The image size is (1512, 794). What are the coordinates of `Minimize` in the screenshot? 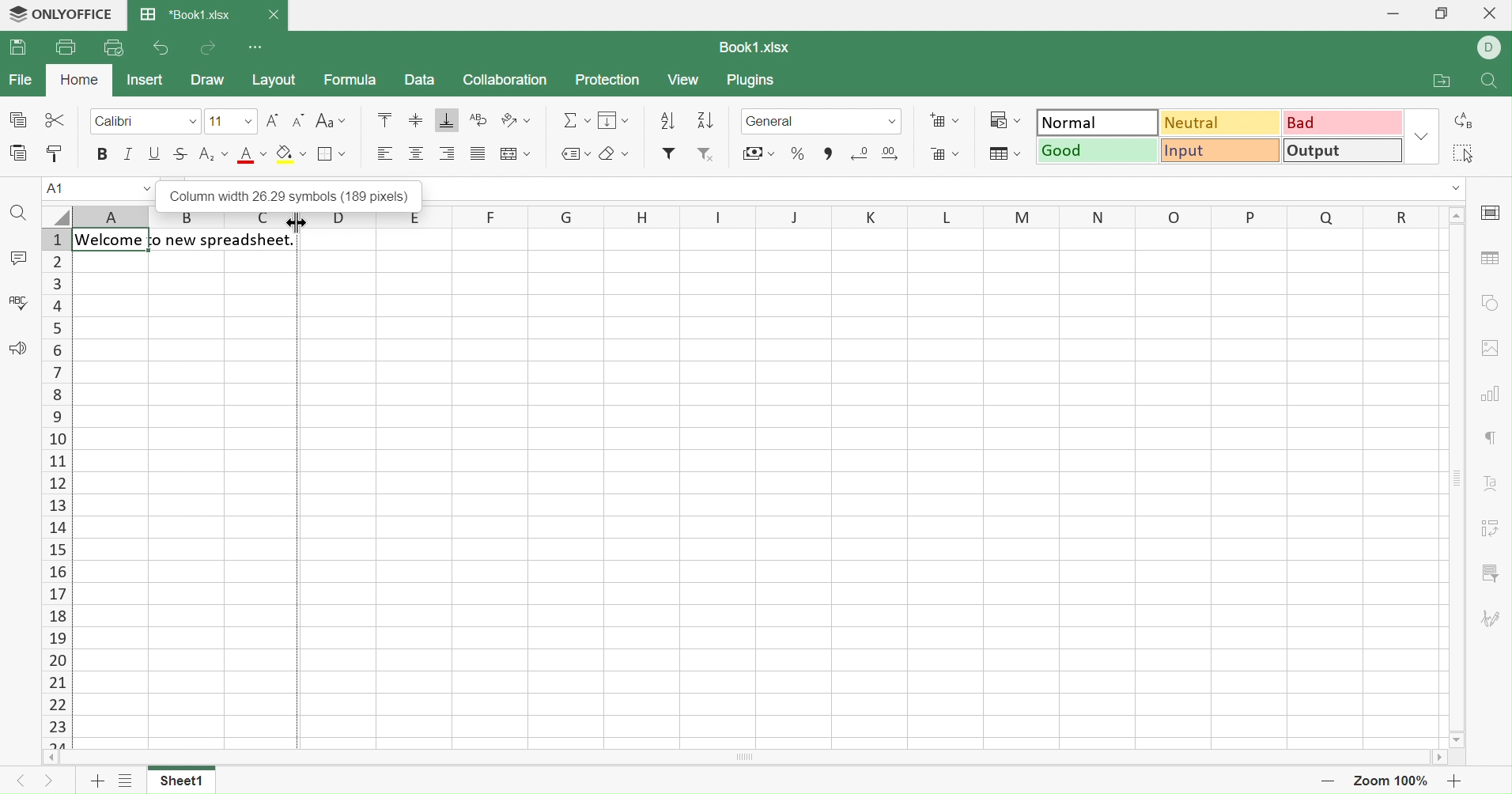 It's located at (1387, 13).